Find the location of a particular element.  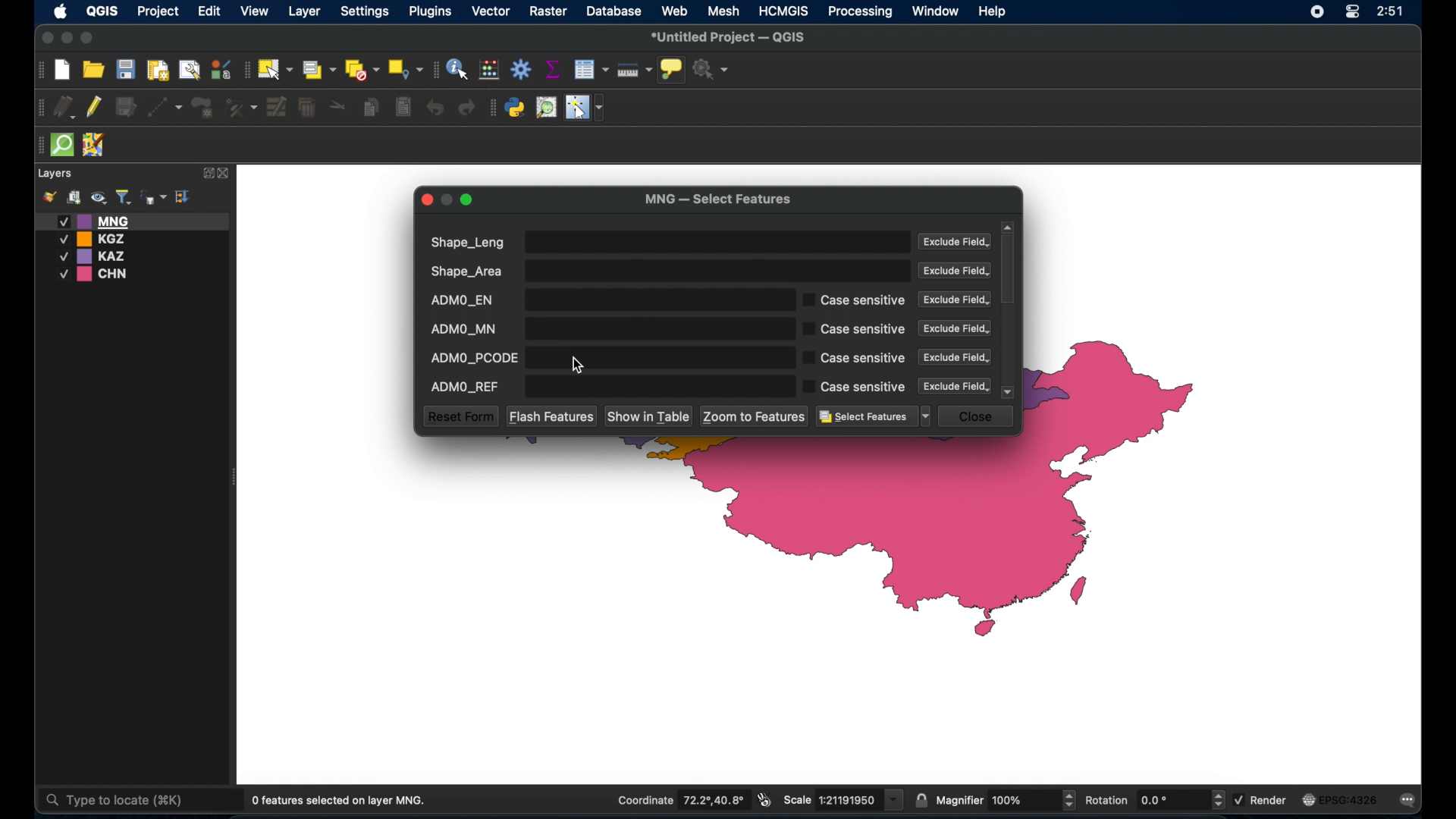

open layout manager is located at coordinates (188, 69).